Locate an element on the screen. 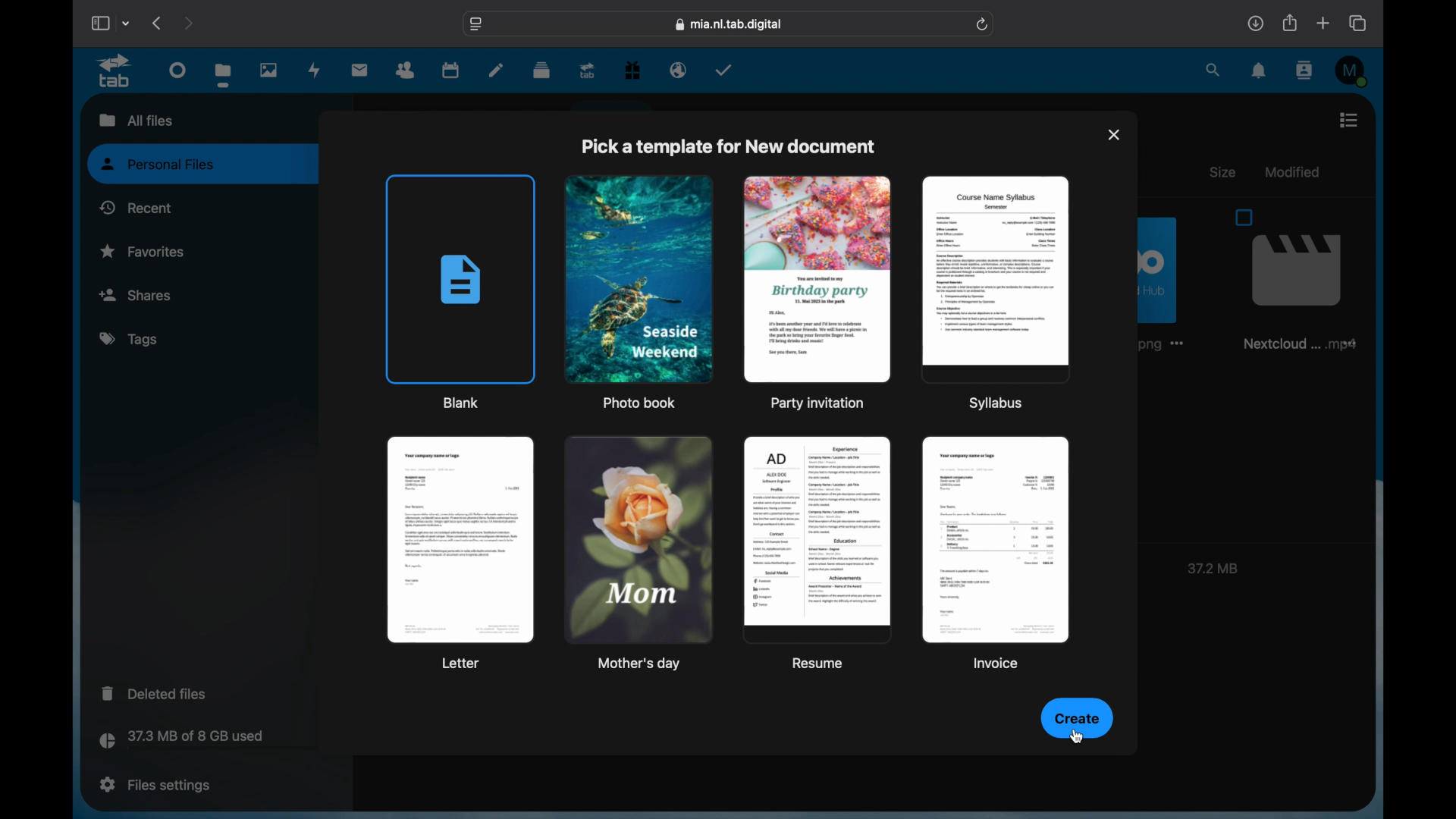  refresh is located at coordinates (984, 25).